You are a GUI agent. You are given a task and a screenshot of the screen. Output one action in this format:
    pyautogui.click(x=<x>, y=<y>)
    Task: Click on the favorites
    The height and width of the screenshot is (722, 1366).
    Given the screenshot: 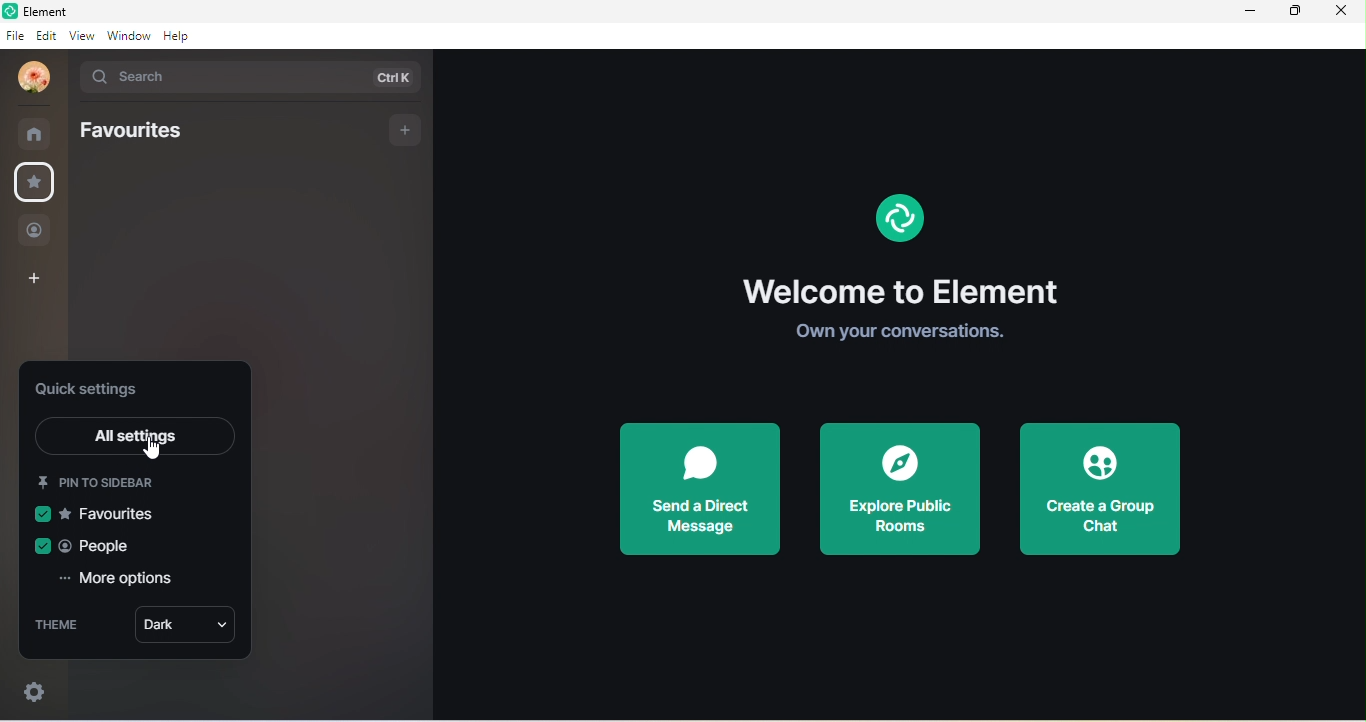 What is the action you would take?
    pyautogui.click(x=155, y=131)
    